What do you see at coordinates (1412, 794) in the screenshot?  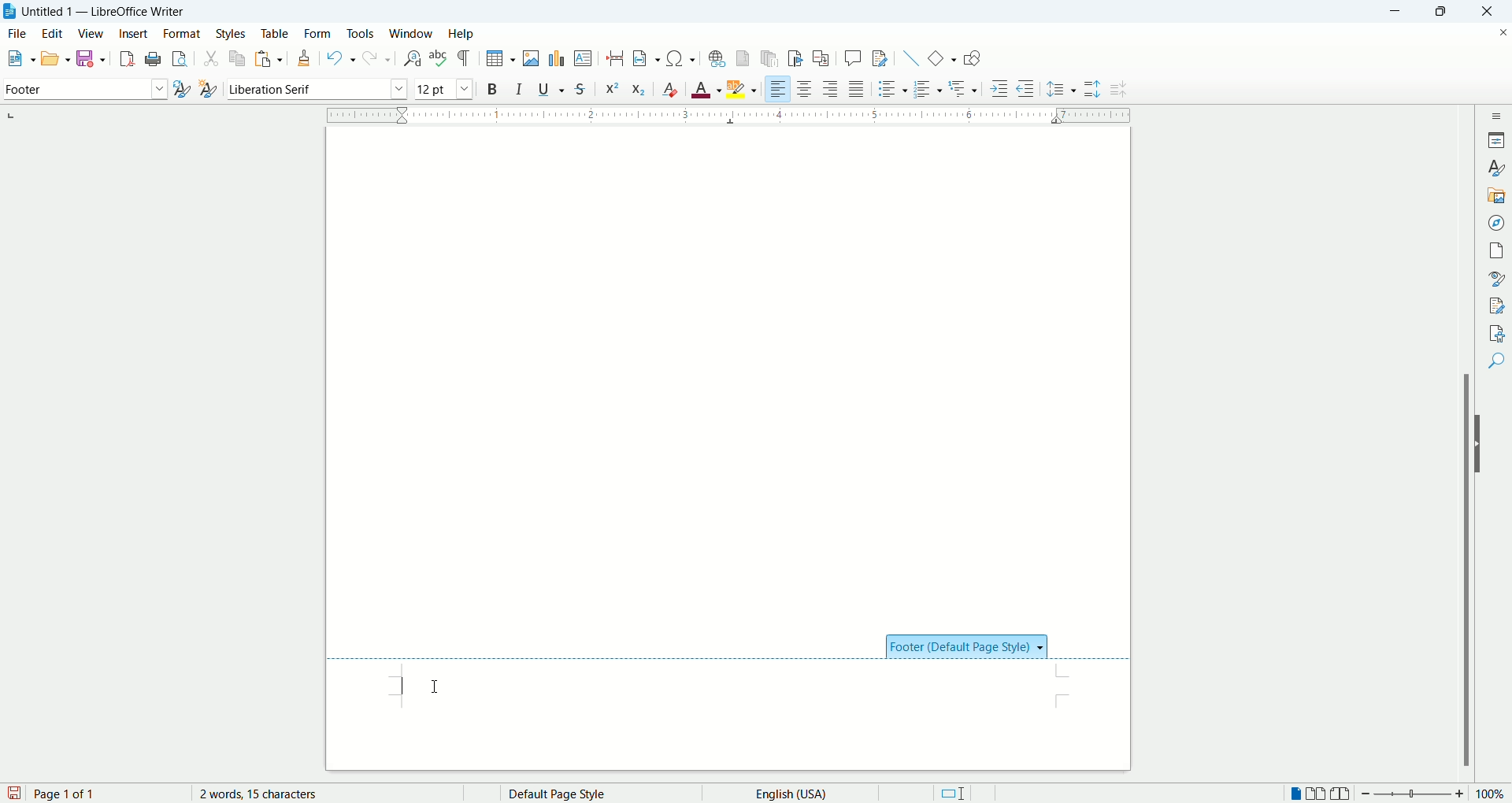 I see `zoom bar` at bounding box center [1412, 794].